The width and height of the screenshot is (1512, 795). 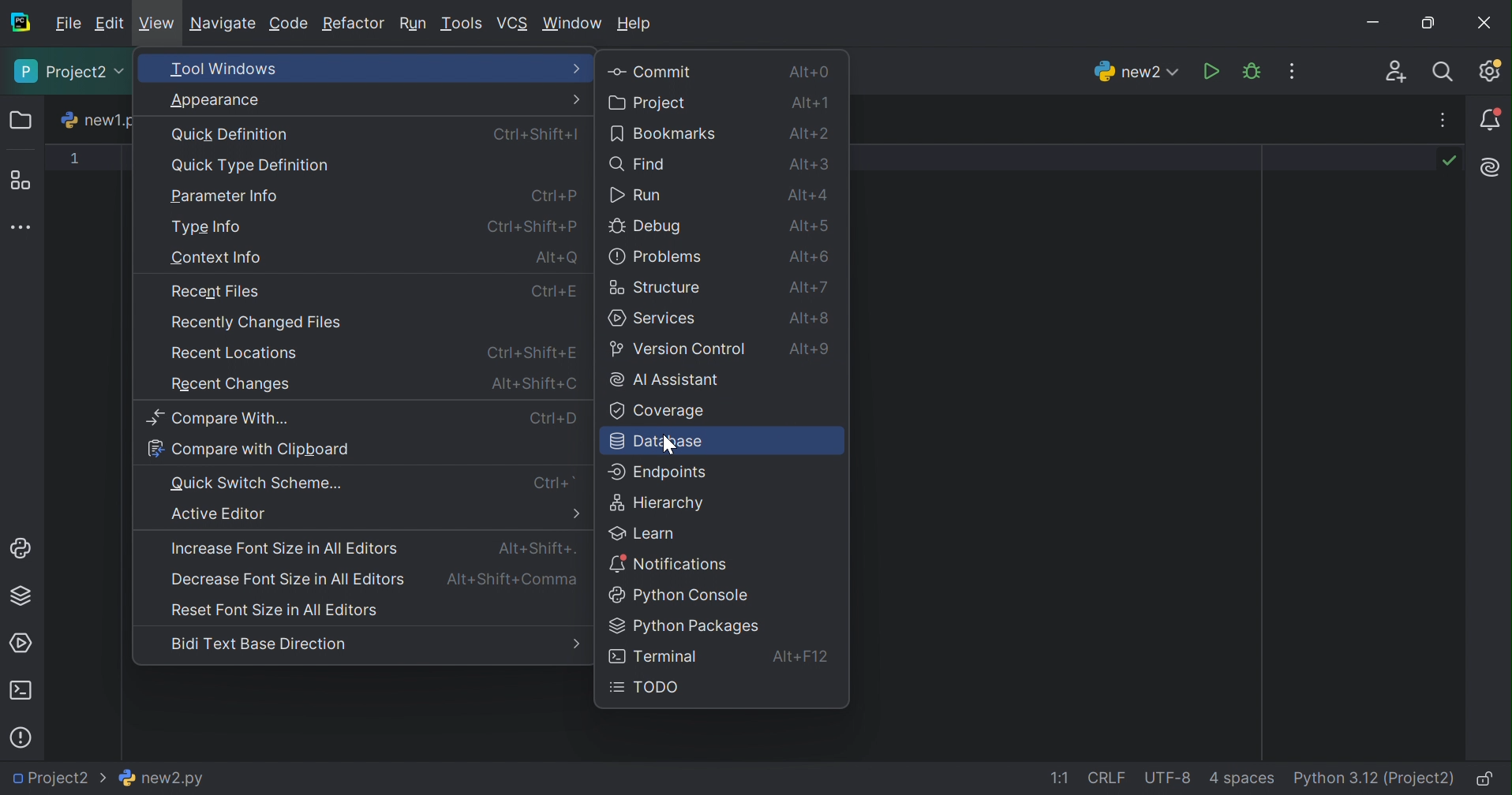 What do you see at coordinates (65, 22) in the screenshot?
I see `File` at bounding box center [65, 22].